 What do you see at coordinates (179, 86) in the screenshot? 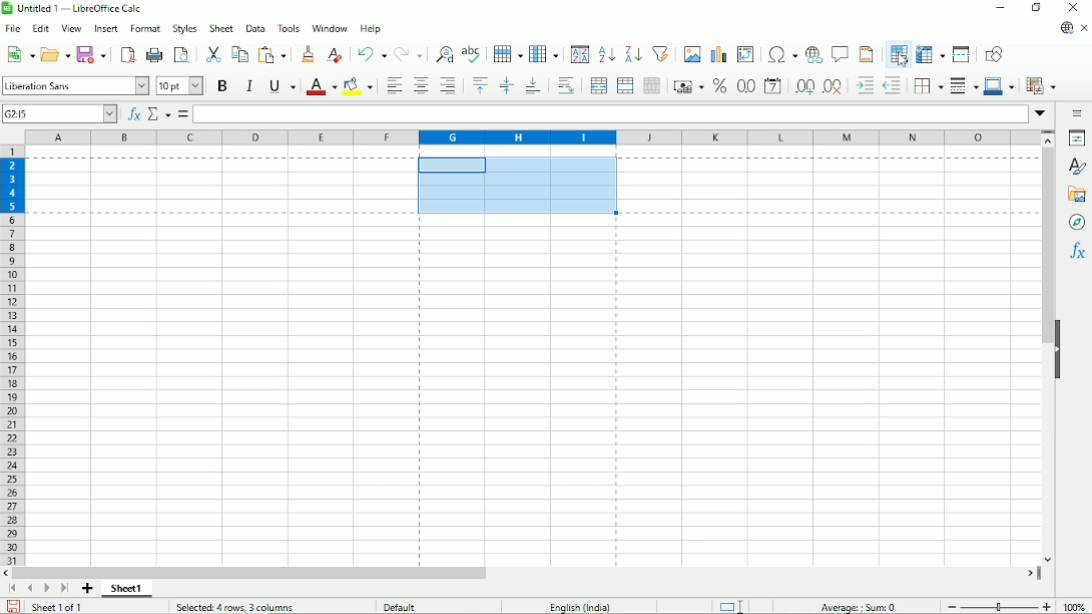
I see `Font size` at bounding box center [179, 86].